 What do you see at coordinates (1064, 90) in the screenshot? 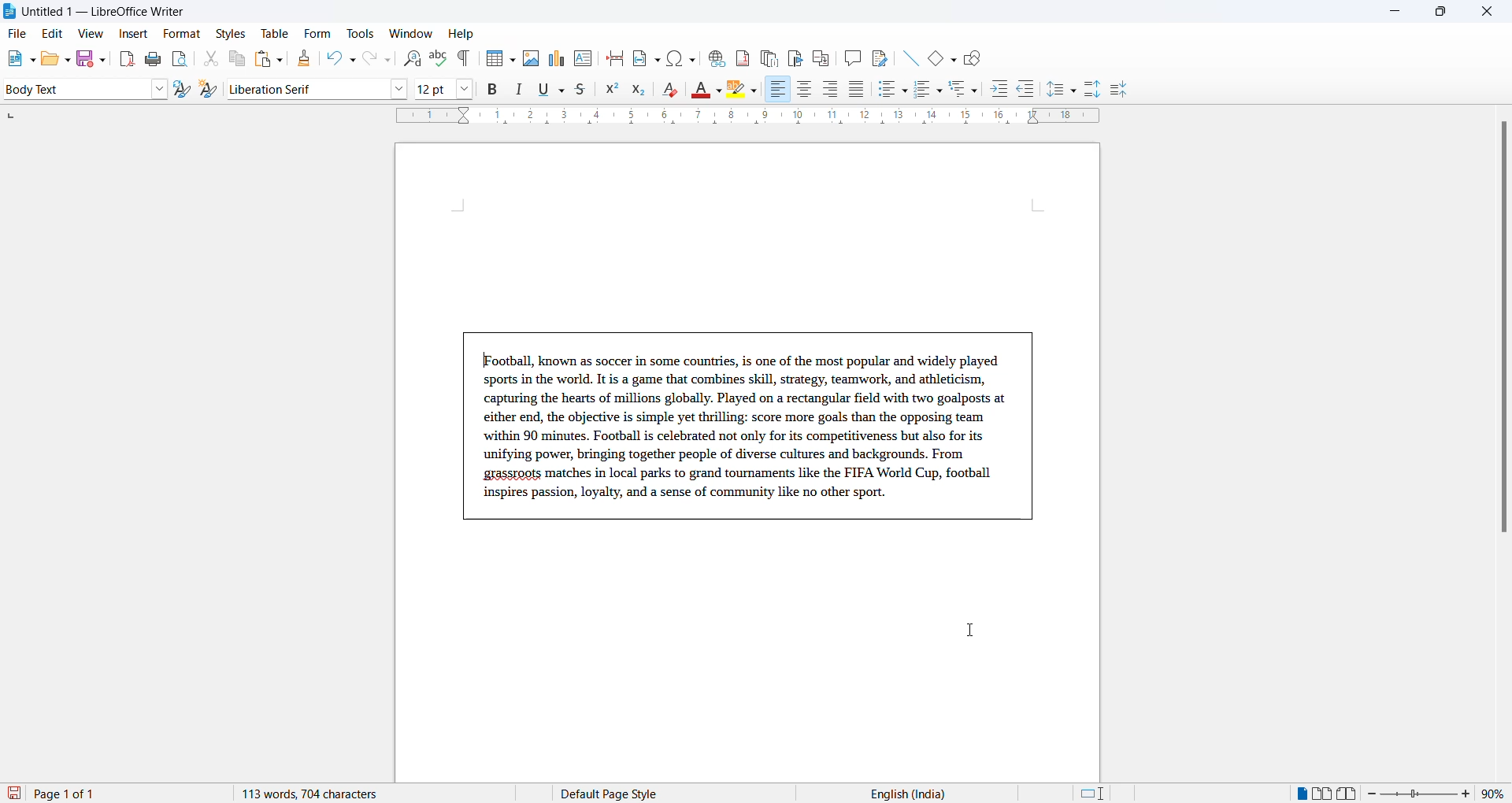
I see `line spacing` at bounding box center [1064, 90].